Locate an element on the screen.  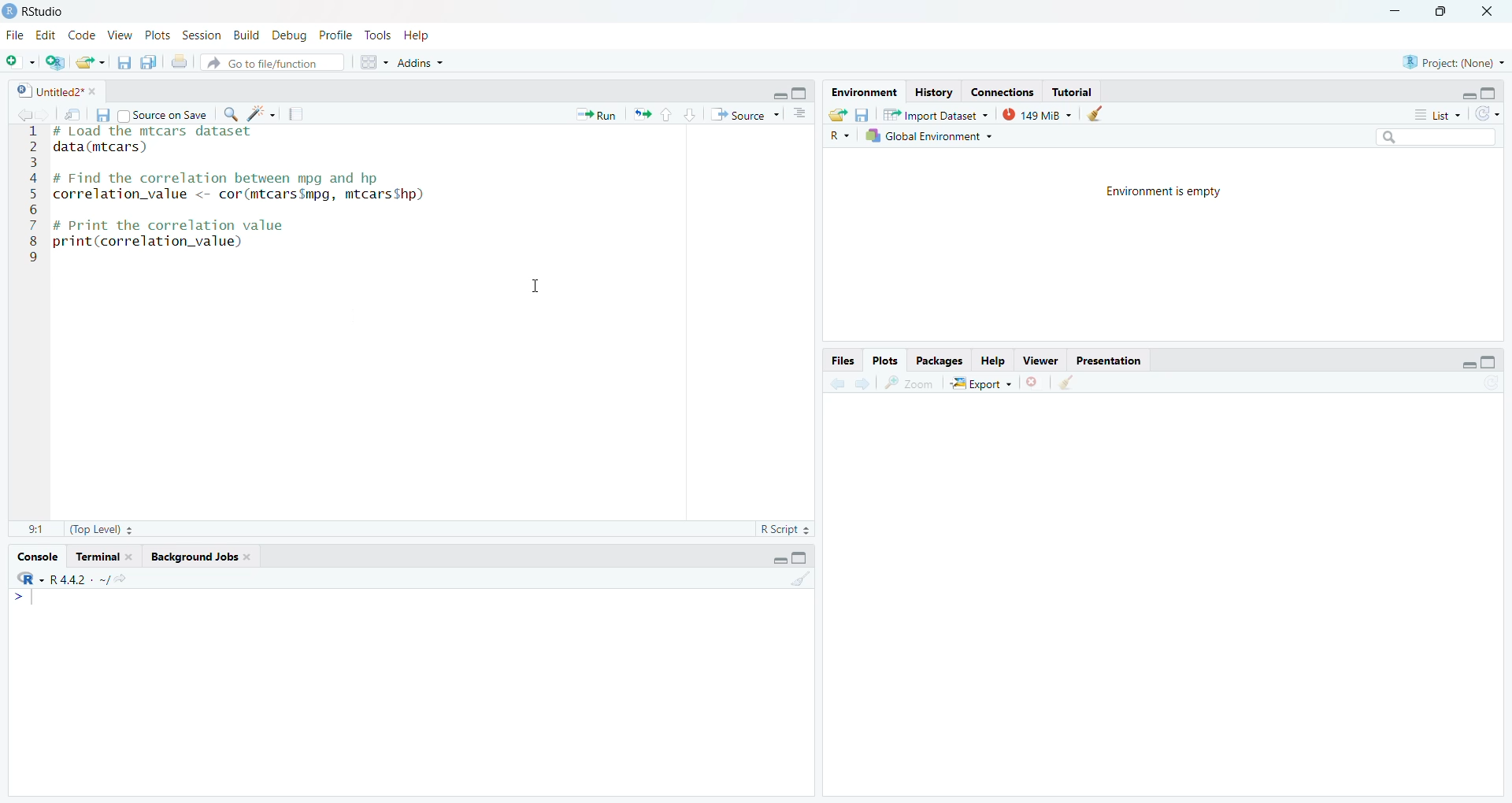
Console is located at coordinates (35, 557).